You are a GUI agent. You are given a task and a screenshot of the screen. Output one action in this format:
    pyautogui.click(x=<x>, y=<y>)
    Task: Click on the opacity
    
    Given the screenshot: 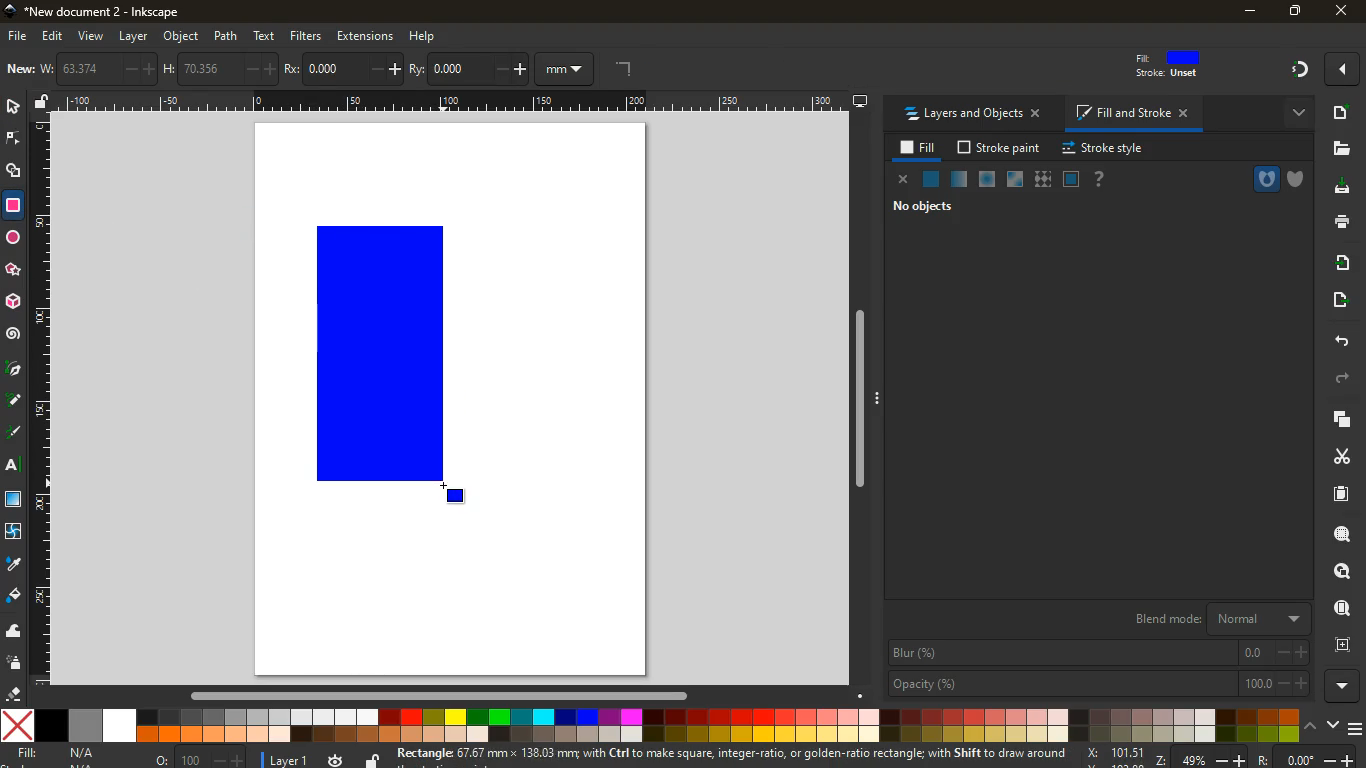 What is the action you would take?
    pyautogui.click(x=1098, y=684)
    